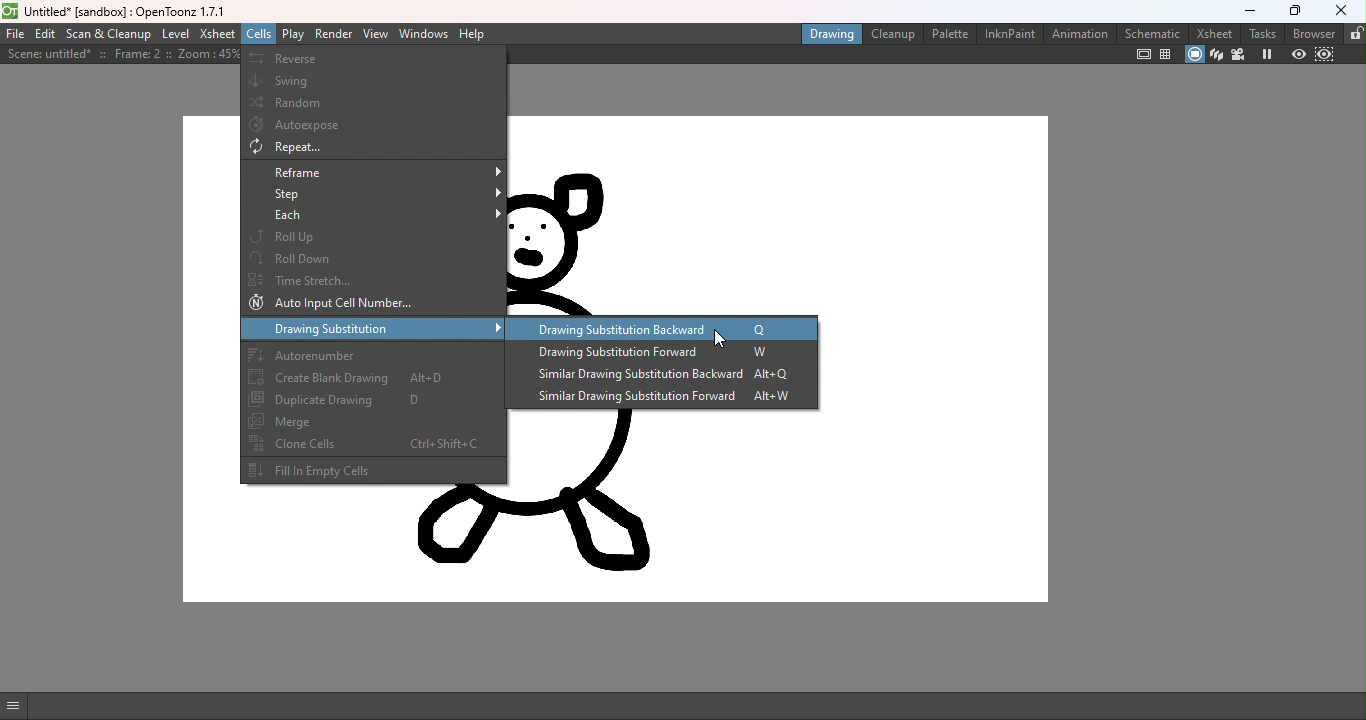  What do you see at coordinates (1316, 33) in the screenshot?
I see `Browser` at bounding box center [1316, 33].